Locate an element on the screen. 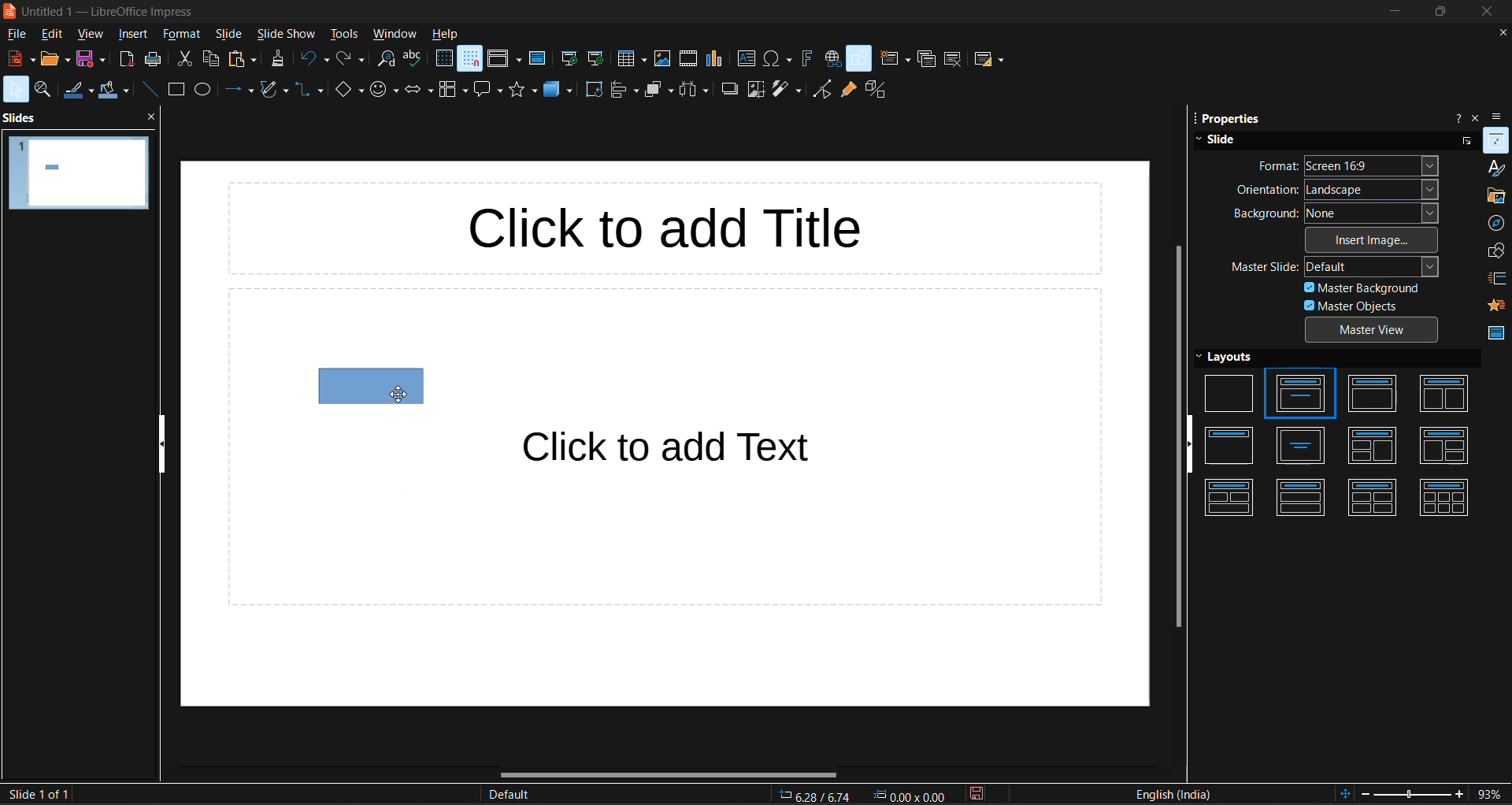 Image resolution: width=1512 pixels, height=805 pixels. hide is located at coordinates (159, 443).